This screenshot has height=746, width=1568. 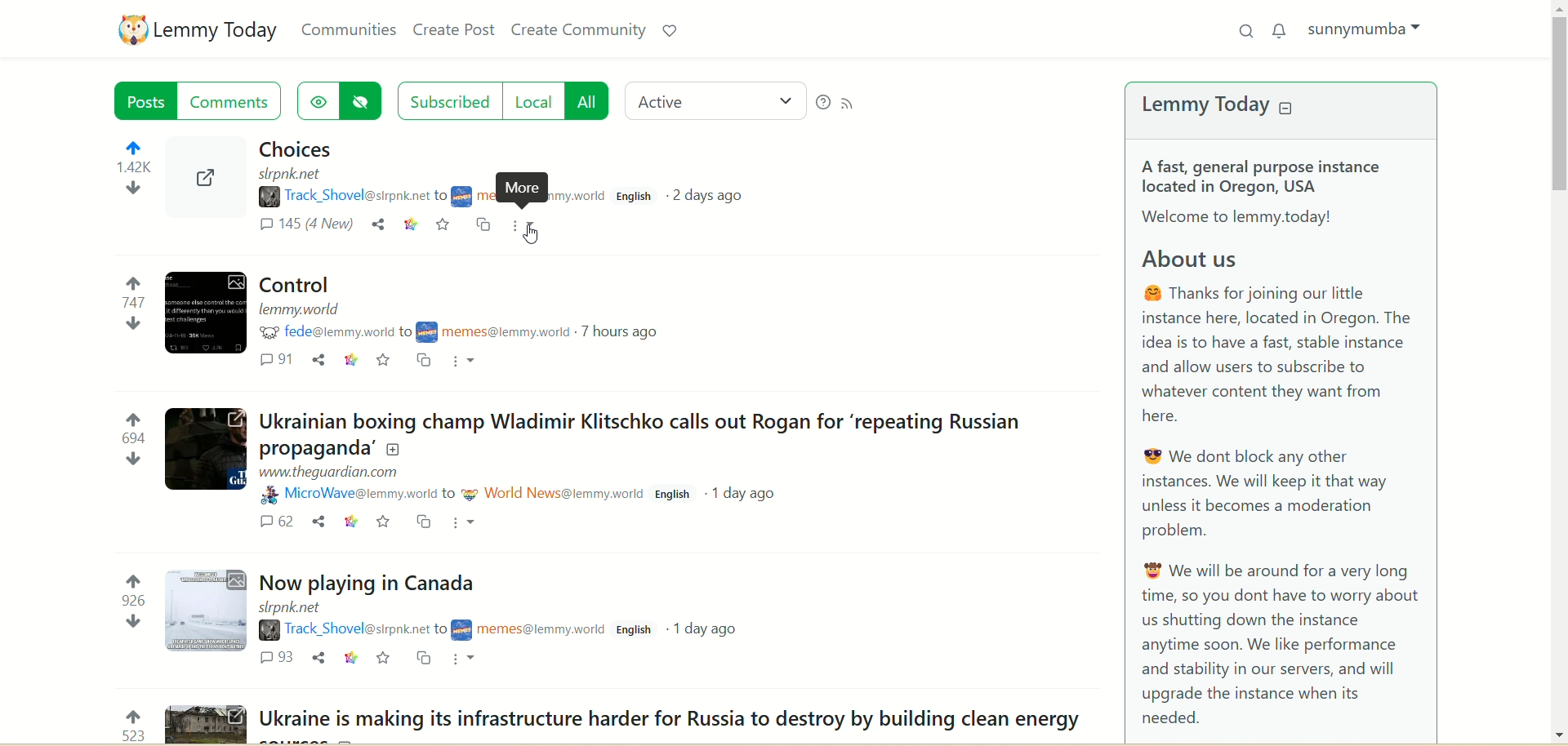 What do you see at coordinates (198, 29) in the screenshot?
I see `lemmy today logo and name` at bounding box center [198, 29].